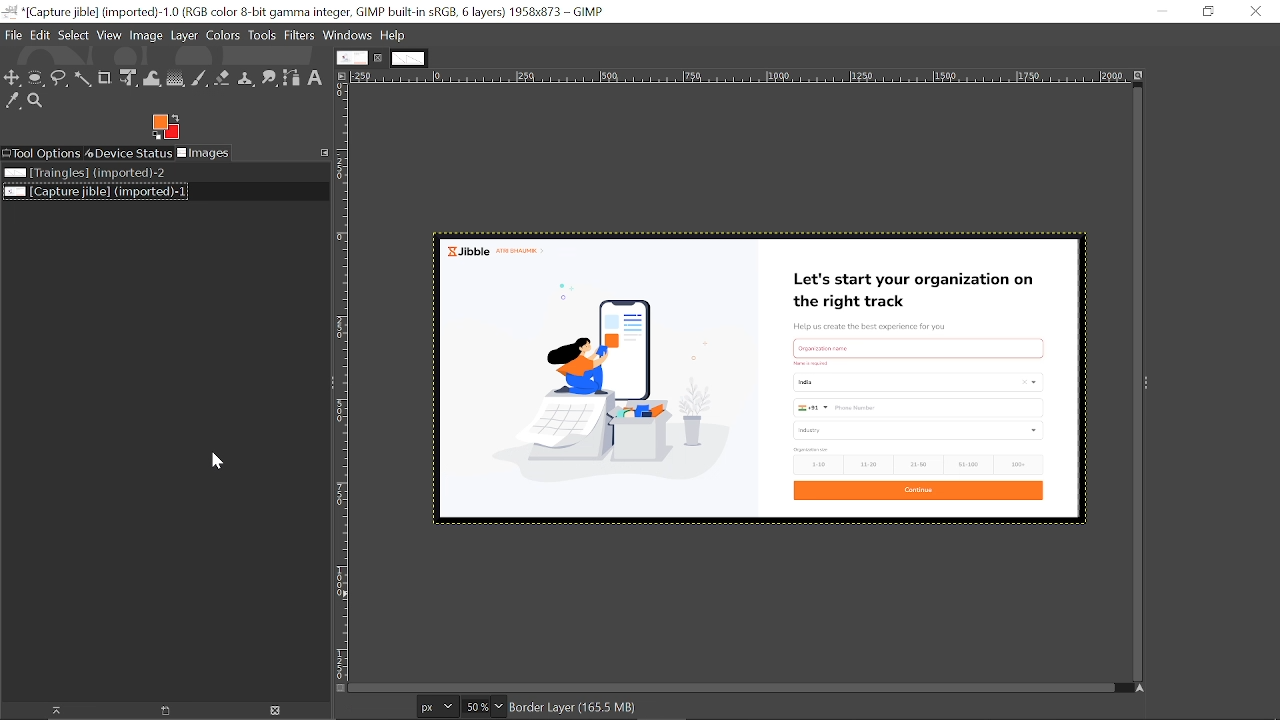  What do you see at coordinates (130, 152) in the screenshot?
I see `Device status` at bounding box center [130, 152].